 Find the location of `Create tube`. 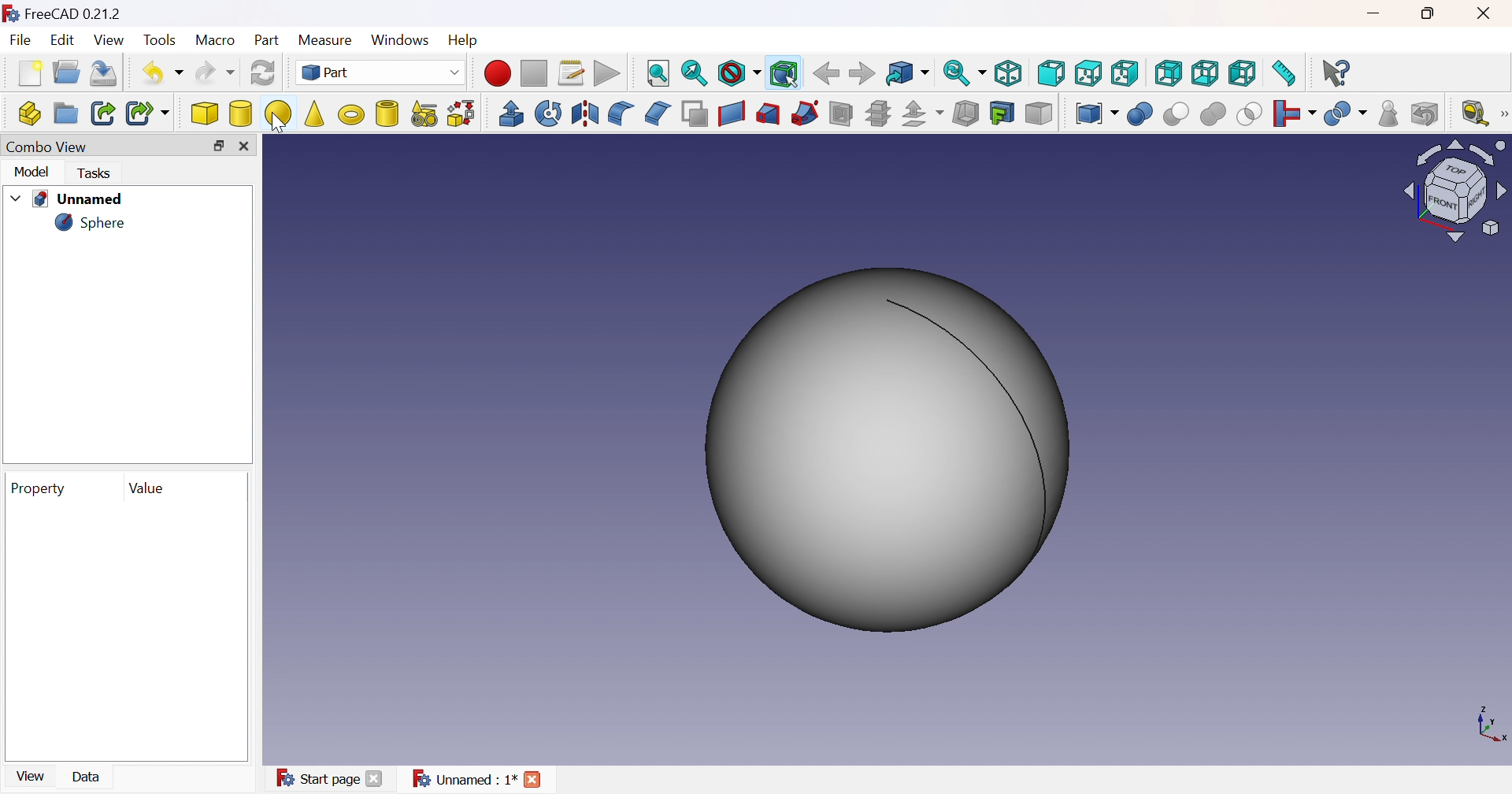

Create tube is located at coordinates (388, 114).